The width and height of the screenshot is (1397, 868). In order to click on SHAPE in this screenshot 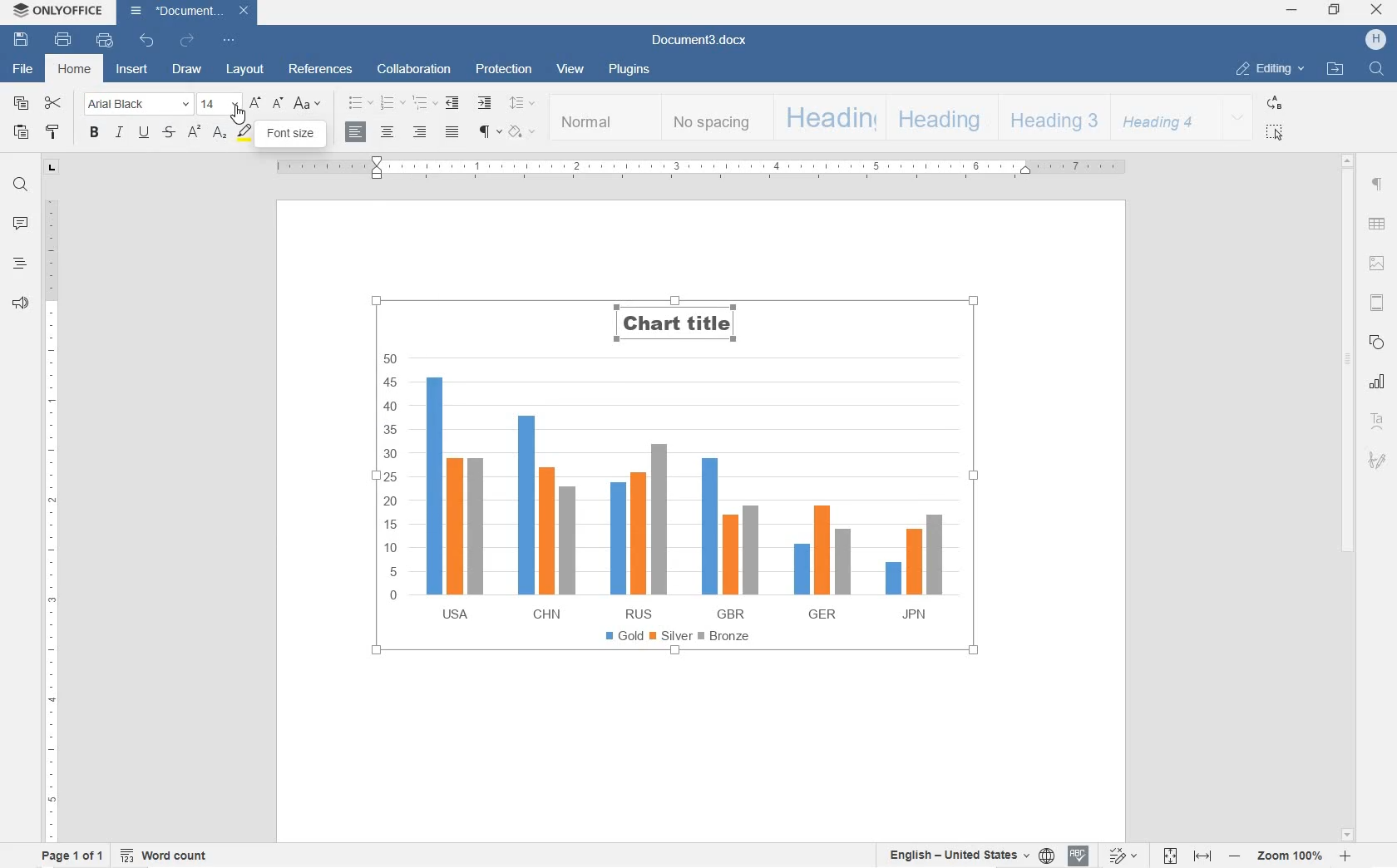, I will do `click(1375, 342)`.